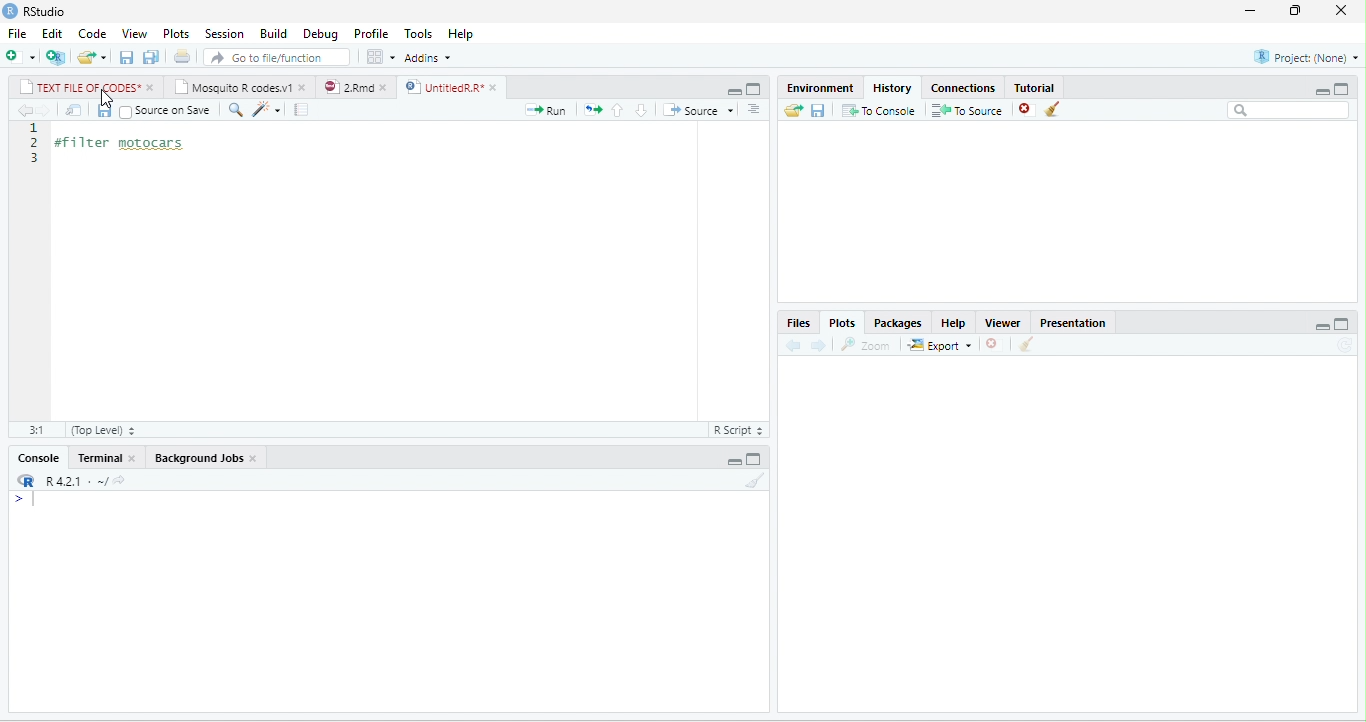 This screenshot has width=1366, height=722. What do you see at coordinates (965, 110) in the screenshot?
I see `To source` at bounding box center [965, 110].